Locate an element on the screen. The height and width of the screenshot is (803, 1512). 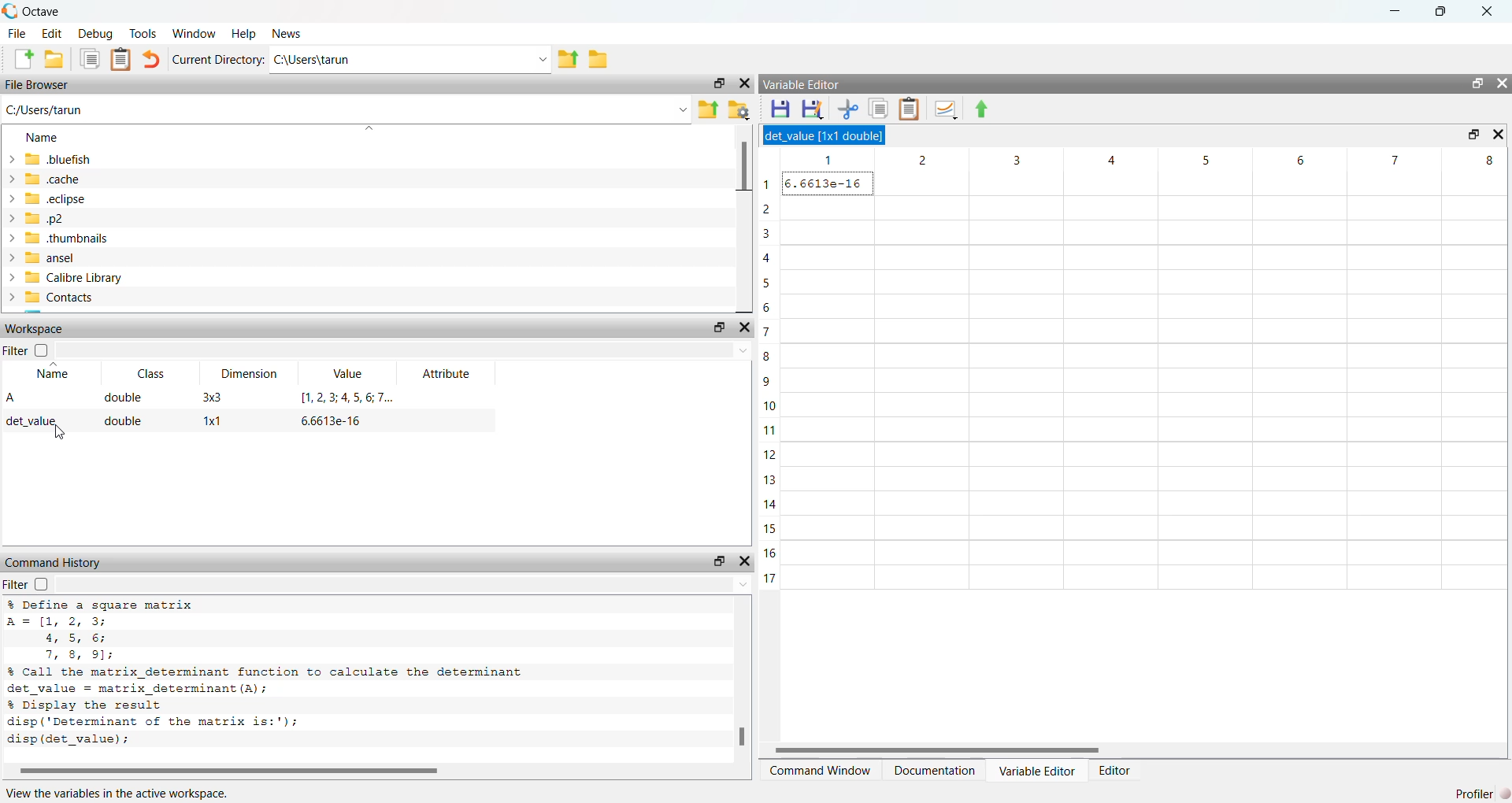
.p2 is located at coordinates (39, 219).